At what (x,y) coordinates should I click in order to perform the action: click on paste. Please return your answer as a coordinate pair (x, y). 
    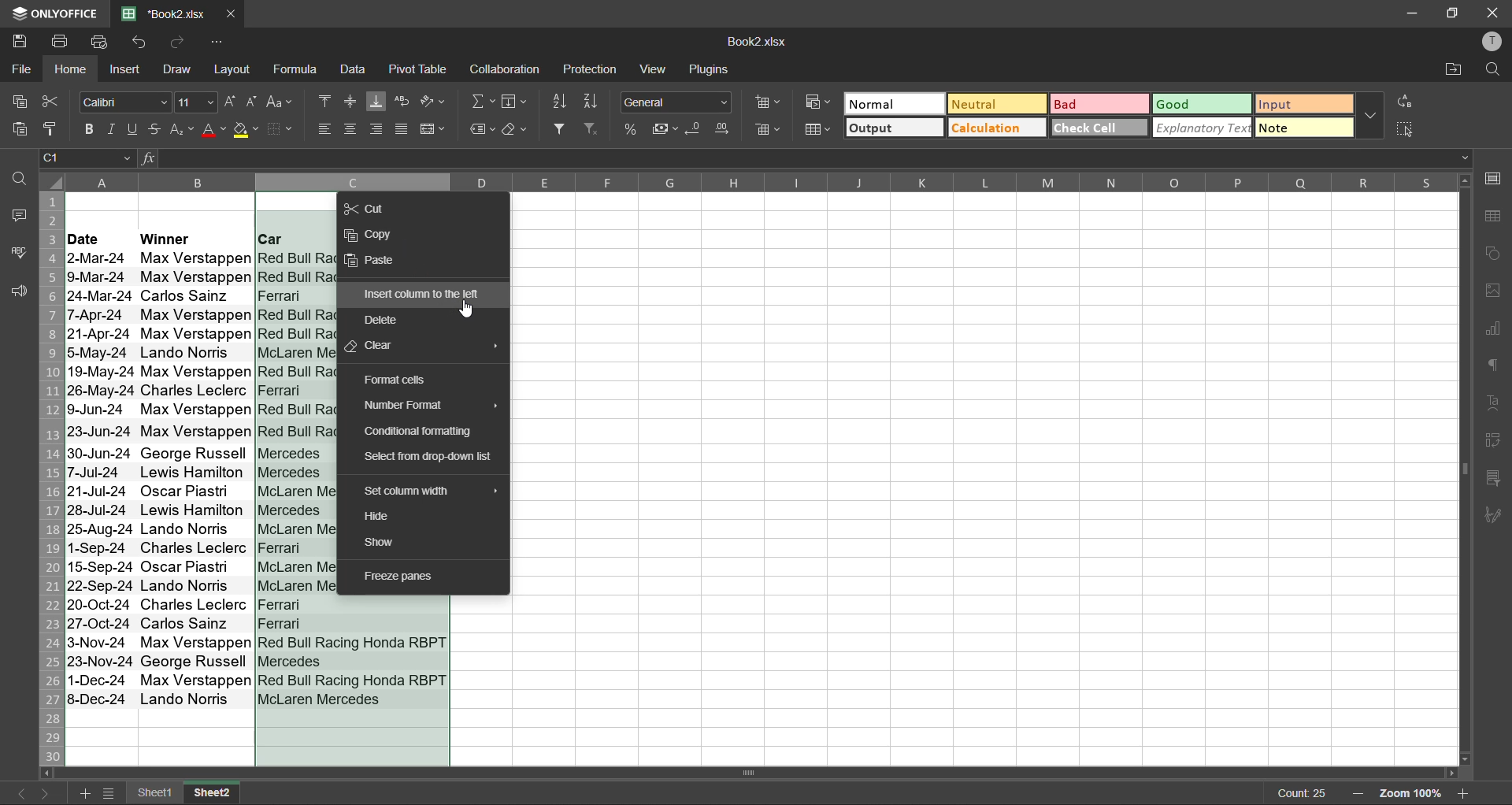
    Looking at the image, I should click on (24, 130).